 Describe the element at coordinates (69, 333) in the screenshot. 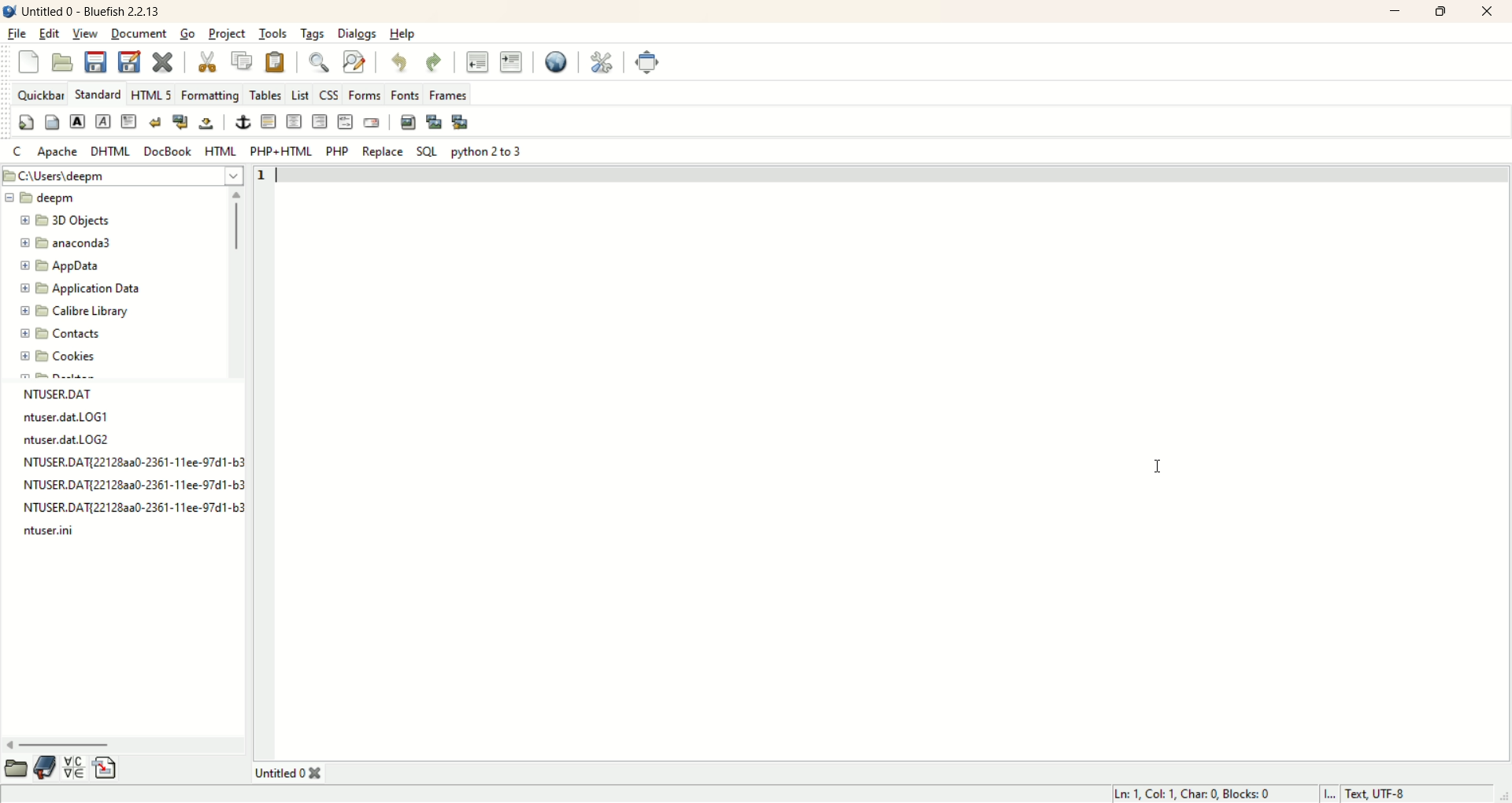

I see `contacts` at that location.